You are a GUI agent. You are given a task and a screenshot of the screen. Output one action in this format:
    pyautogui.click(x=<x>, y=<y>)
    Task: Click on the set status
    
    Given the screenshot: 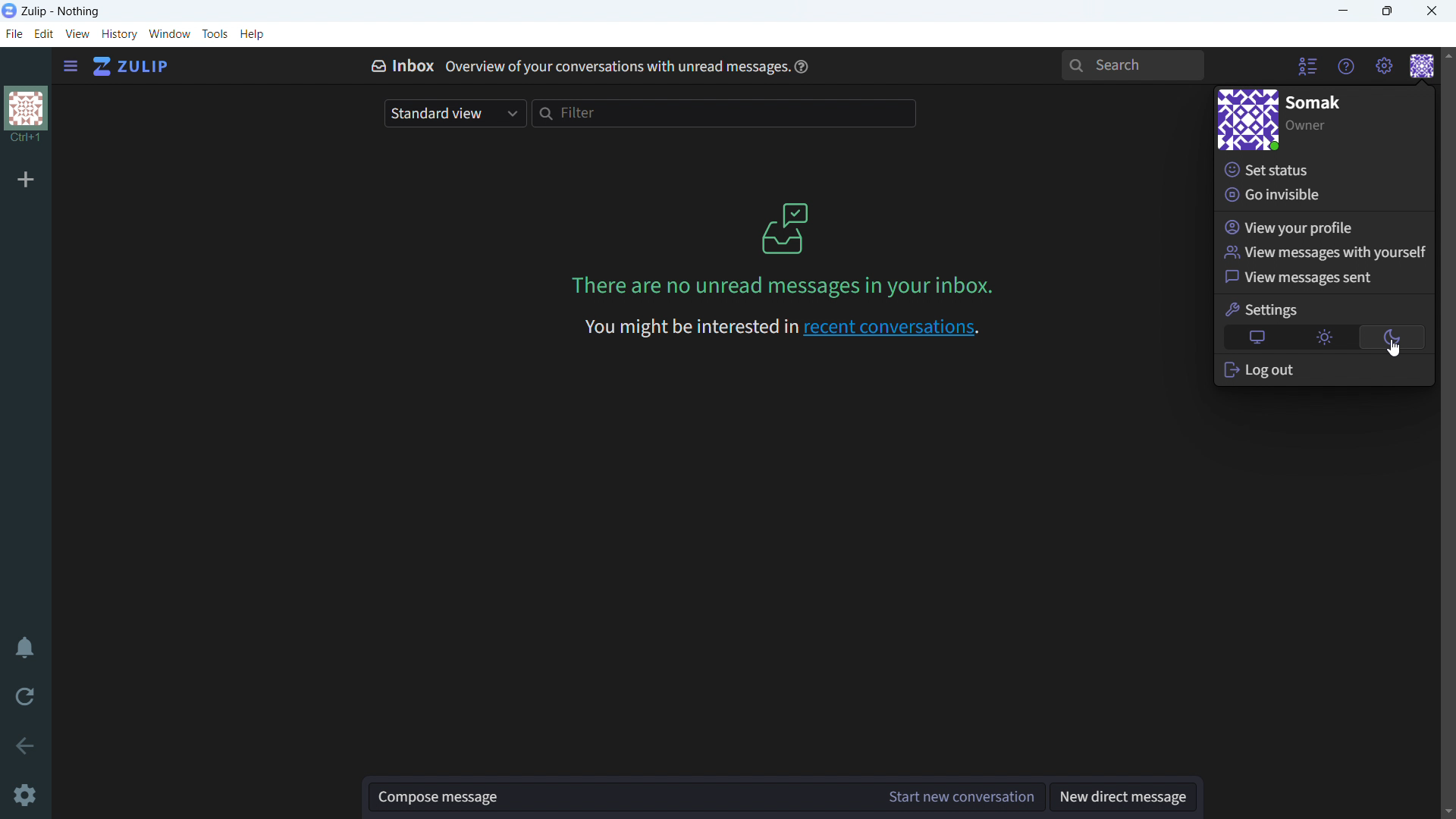 What is the action you would take?
    pyautogui.click(x=1322, y=169)
    